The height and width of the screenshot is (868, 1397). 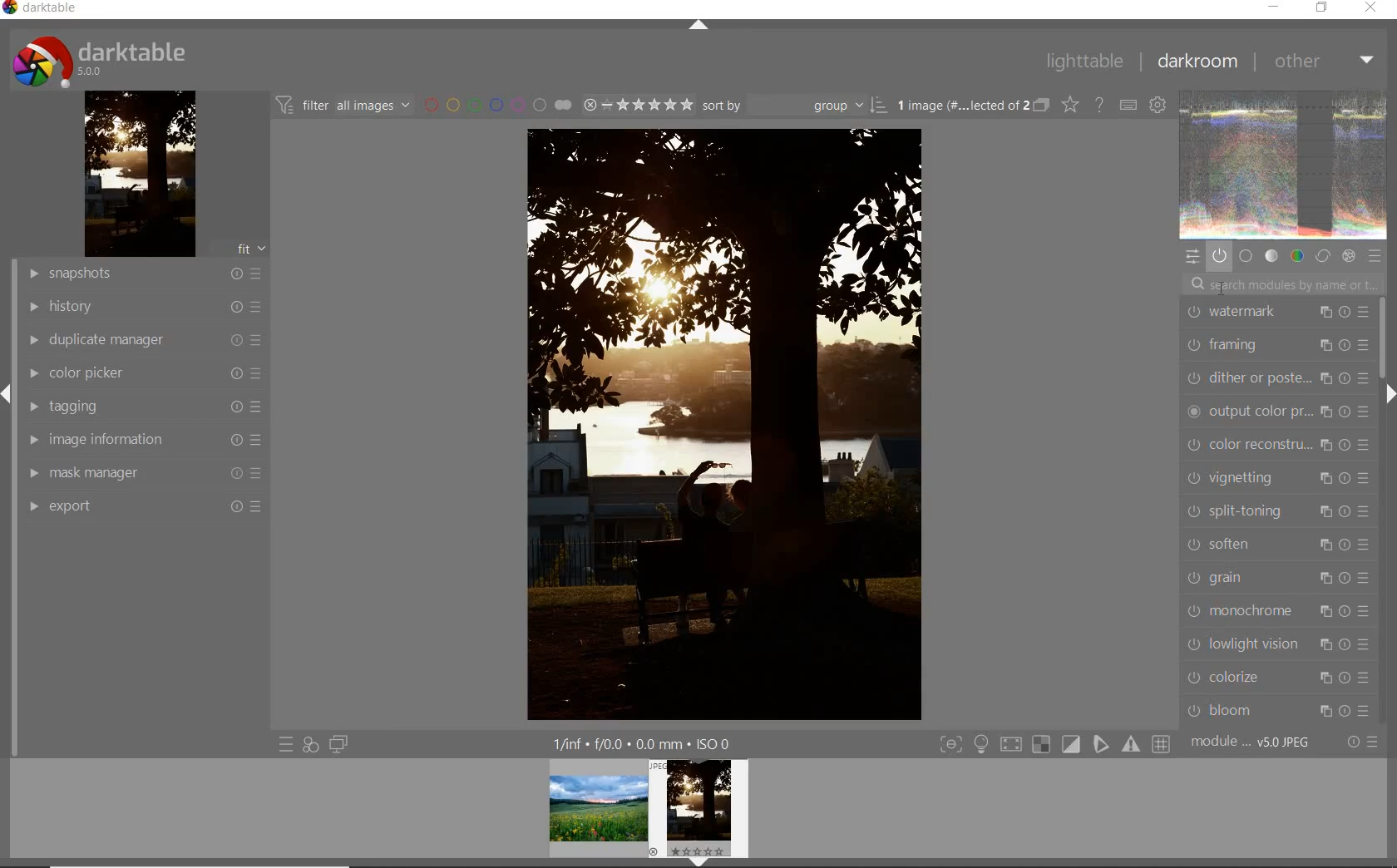 What do you see at coordinates (1278, 443) in the screenshot?
I see `color reconstruction` at bounding box center [1278, 443].